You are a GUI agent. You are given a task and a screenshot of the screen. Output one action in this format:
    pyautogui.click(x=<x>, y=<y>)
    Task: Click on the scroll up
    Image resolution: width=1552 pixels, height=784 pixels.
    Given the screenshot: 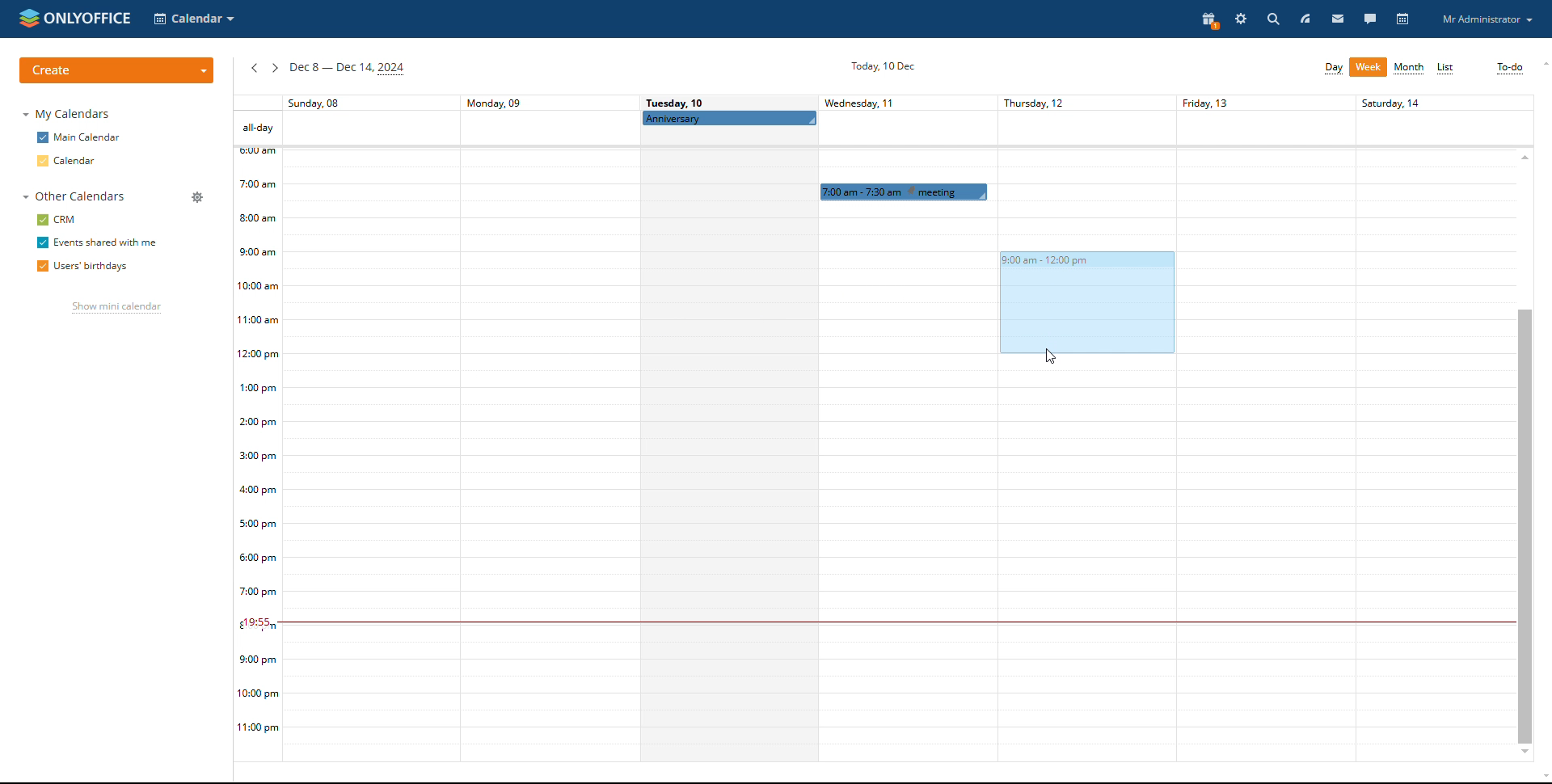 What is the action you would take?
    pyautogui.click(x=1542, y=64)
    